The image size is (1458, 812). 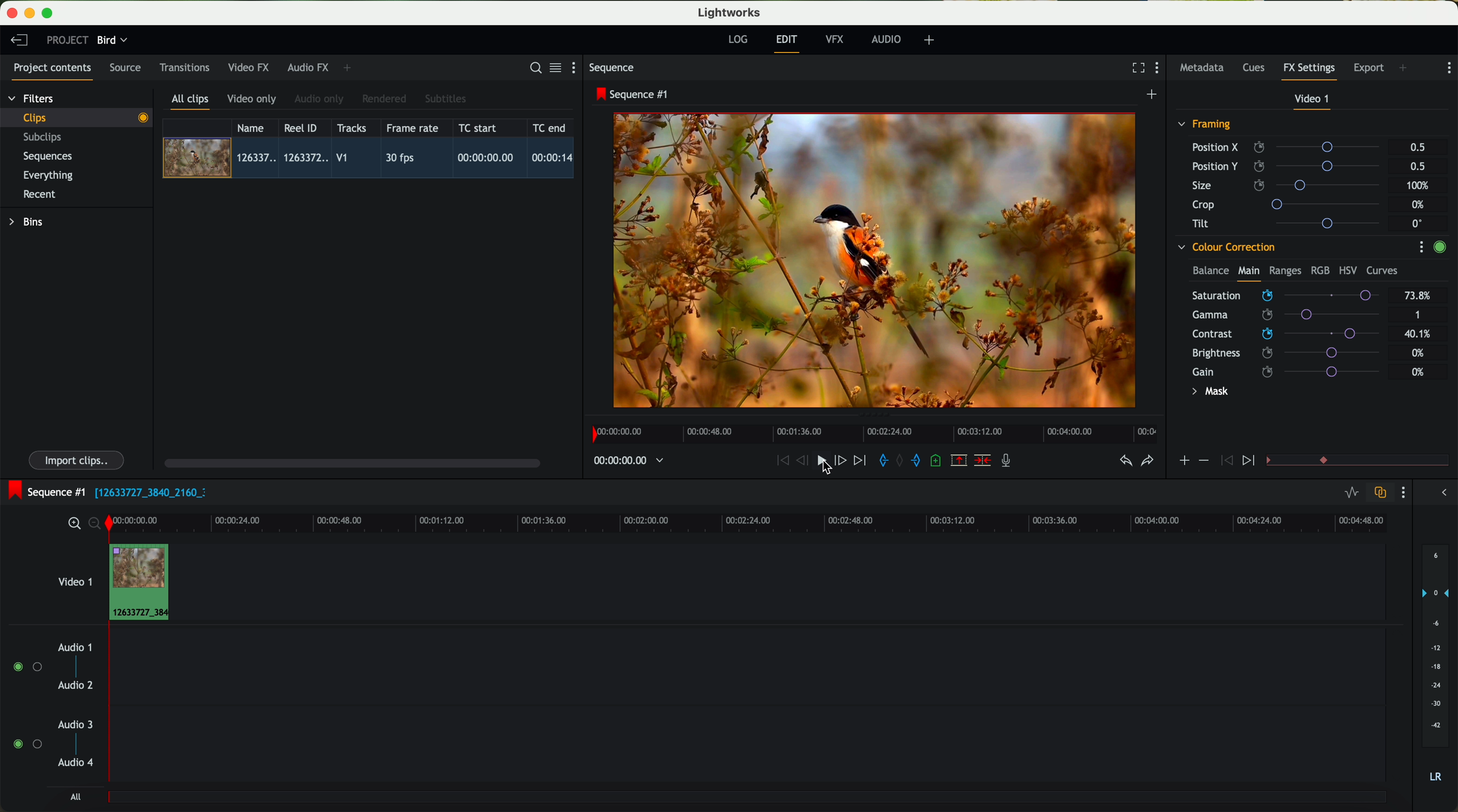 What do you see at coordinates (32, 14) in the screenshot?
I see `minimize program` at bounding box center [32, 14].